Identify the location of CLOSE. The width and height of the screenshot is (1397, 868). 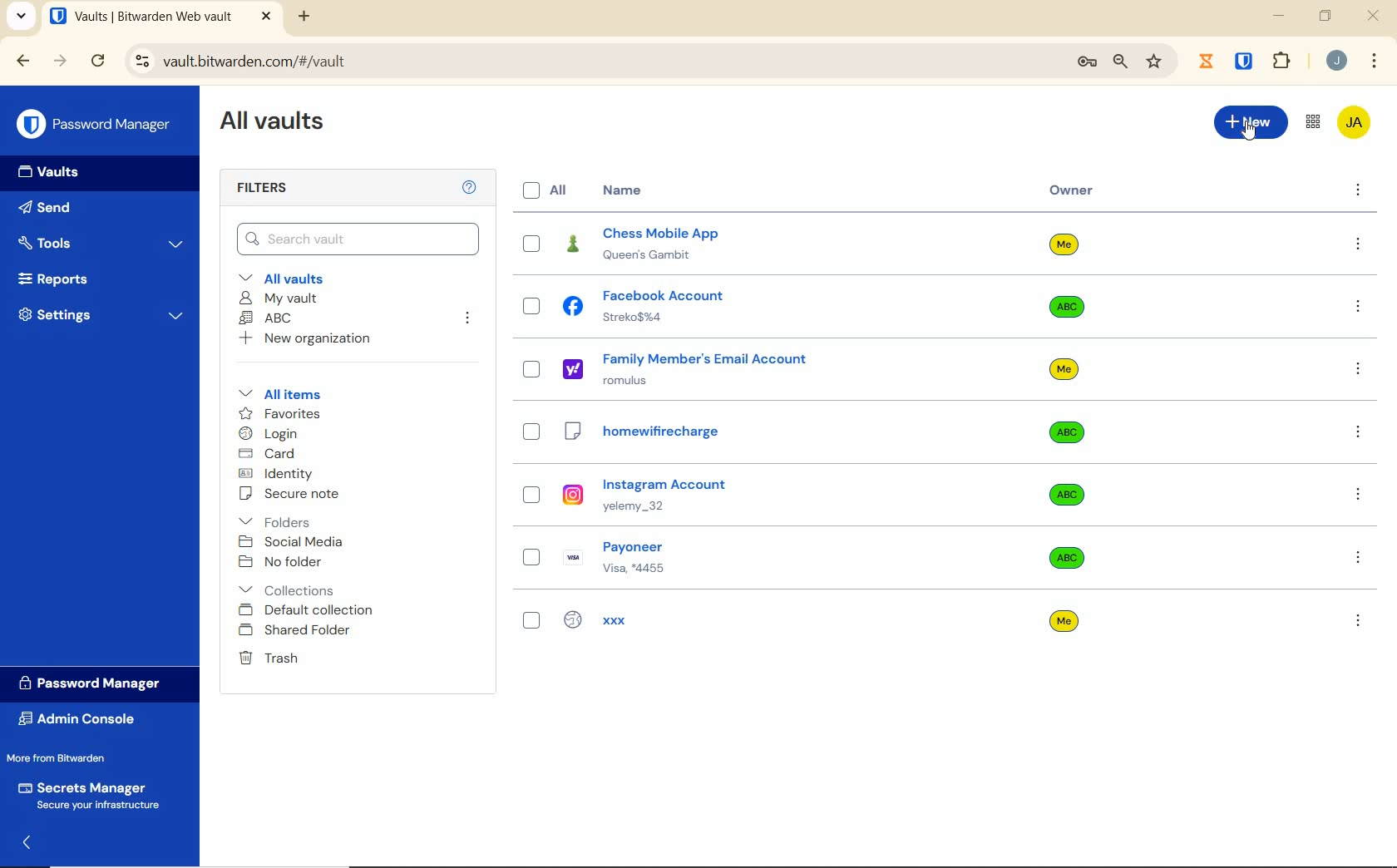
(1375, 20).